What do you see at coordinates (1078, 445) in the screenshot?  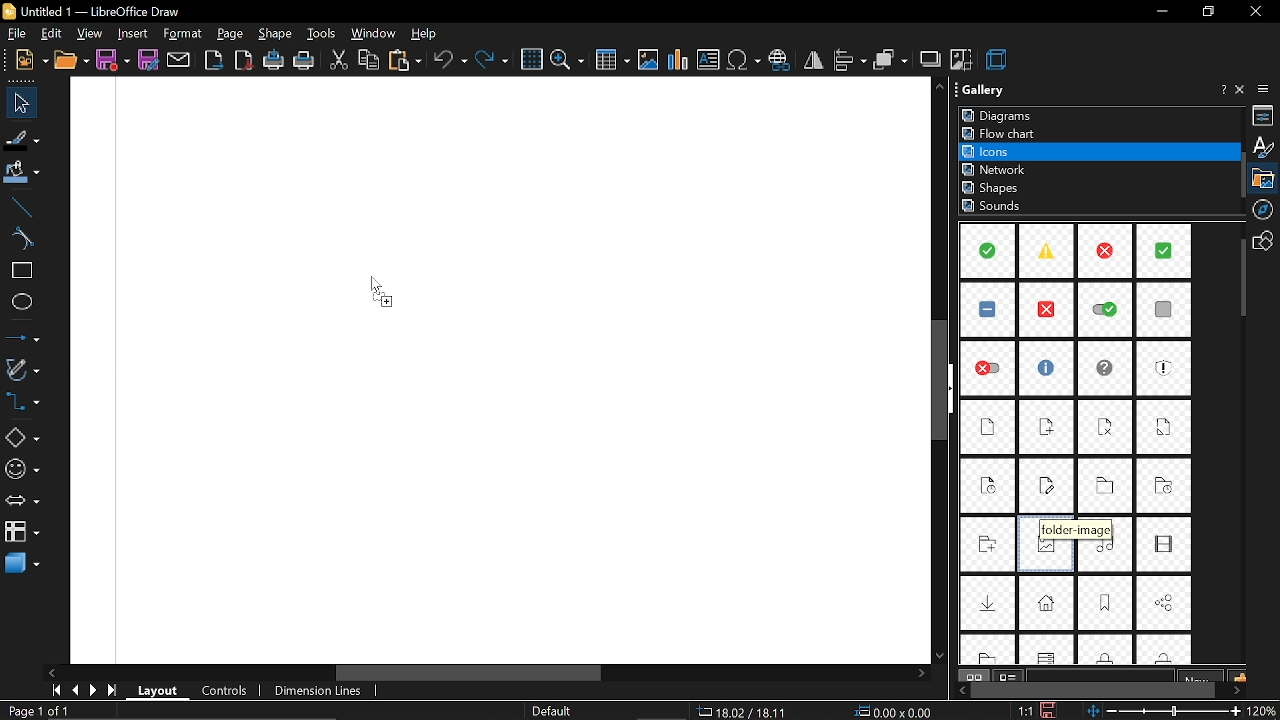 I see `Items in icons` at bounding box center [1078, 445].